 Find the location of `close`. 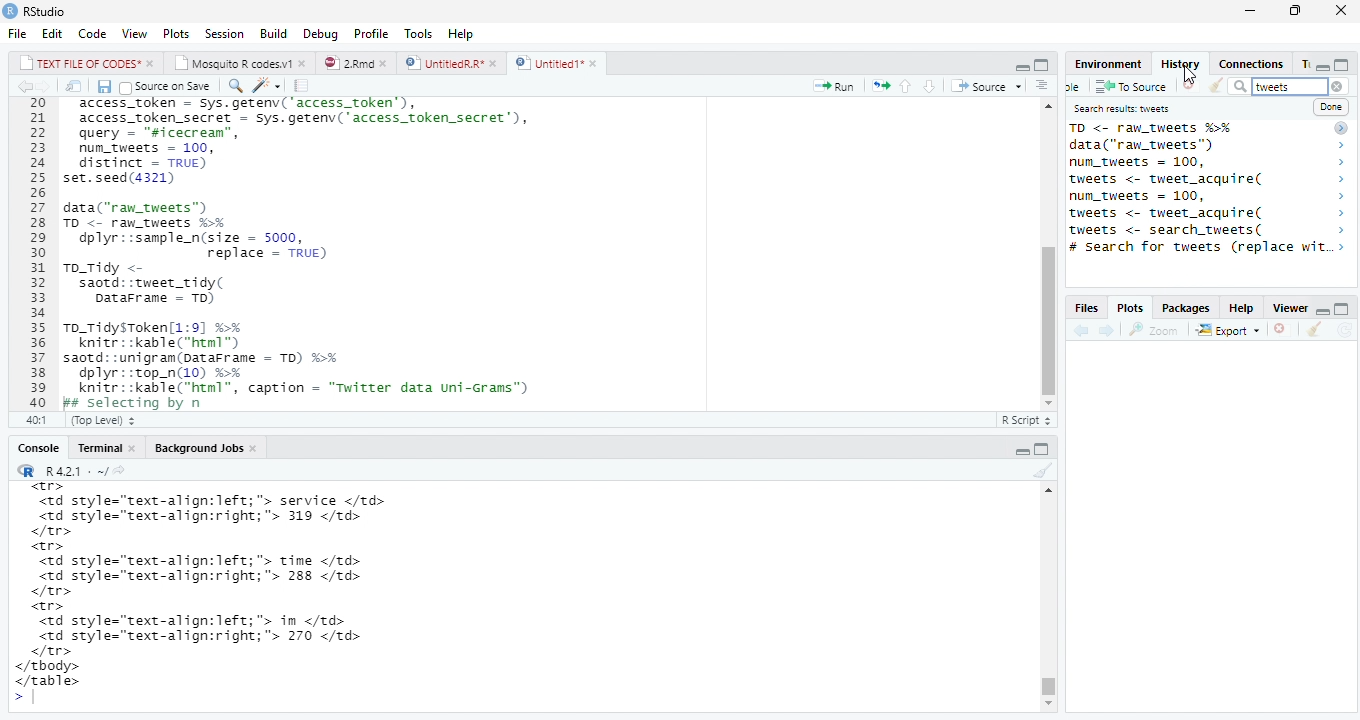

close is located at coordinates (1344, 12).